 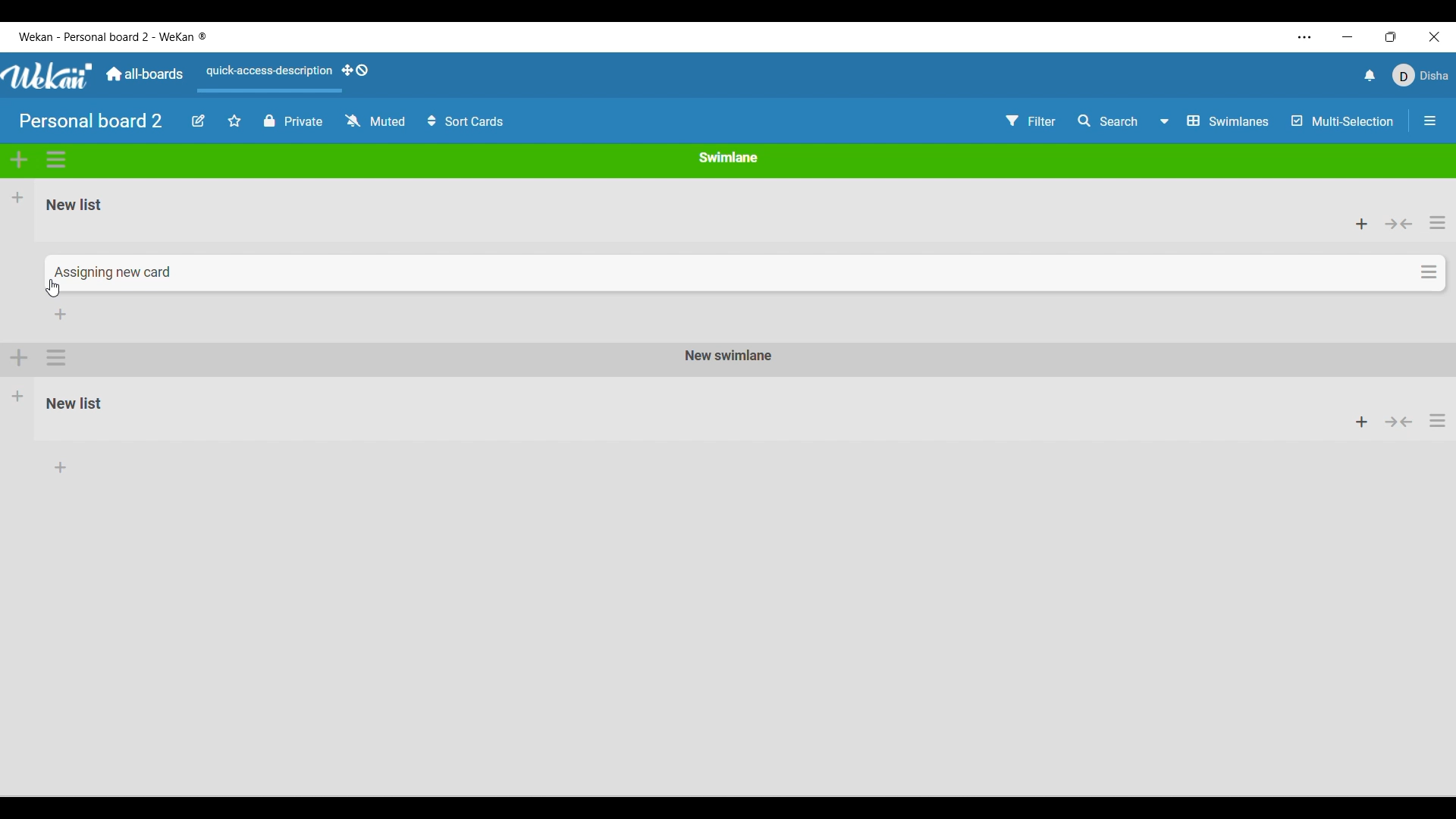 I want to click on Close interface, so click(x=1435, y=37).